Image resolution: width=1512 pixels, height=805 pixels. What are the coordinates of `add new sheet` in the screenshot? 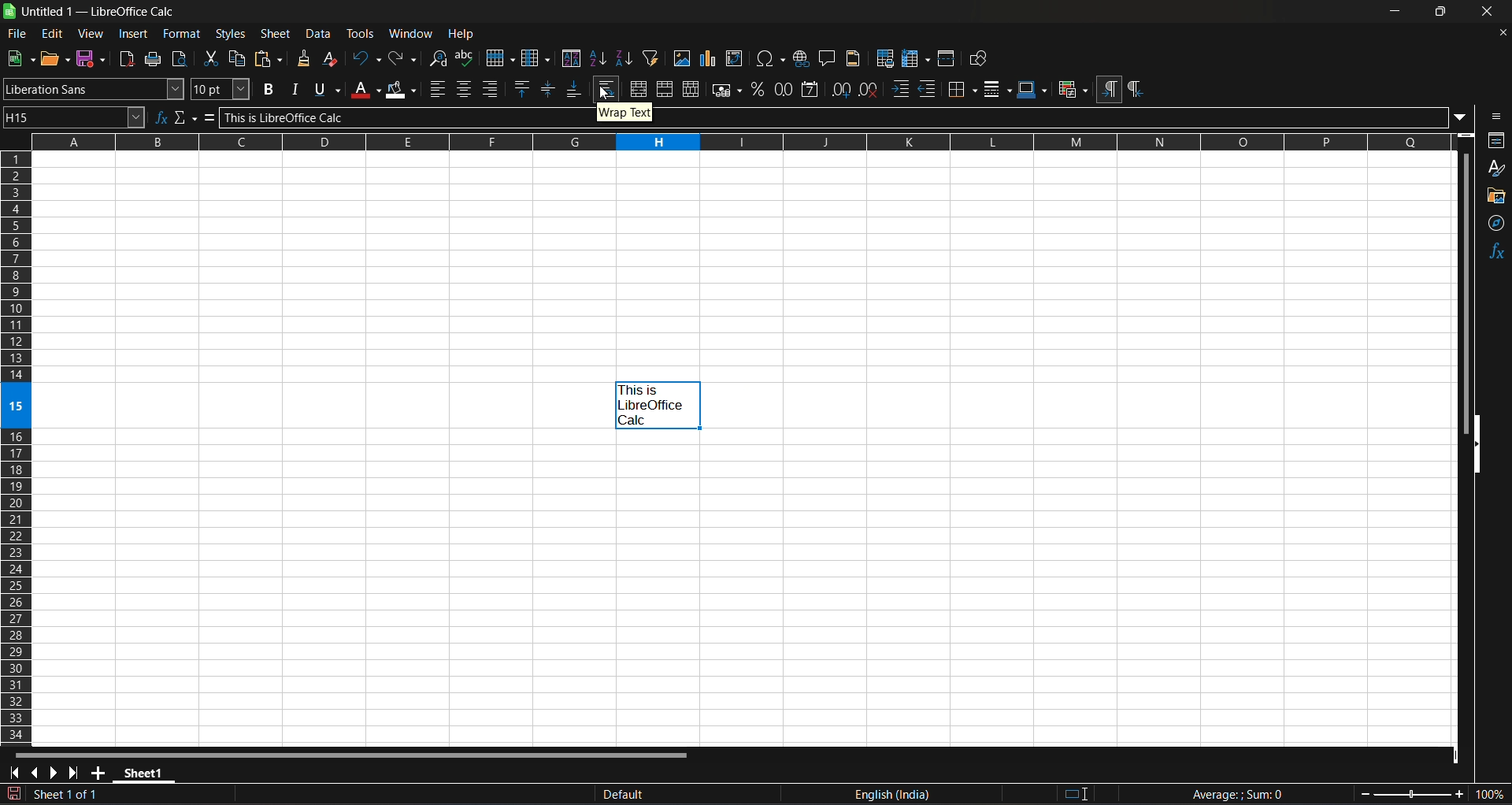 It's located at (101, 772).